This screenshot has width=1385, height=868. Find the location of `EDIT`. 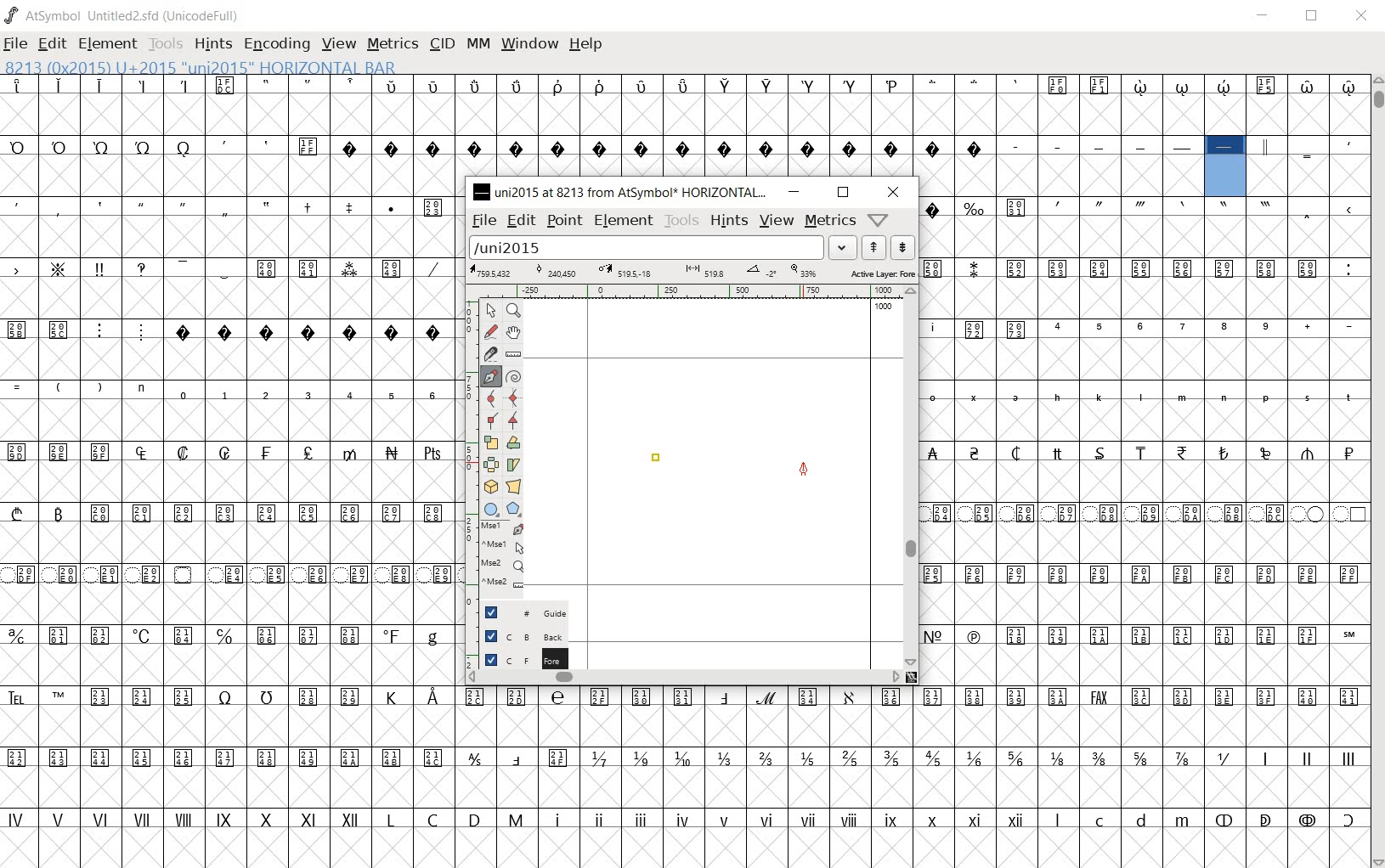

EDIT is located at coordinates (52, 43).